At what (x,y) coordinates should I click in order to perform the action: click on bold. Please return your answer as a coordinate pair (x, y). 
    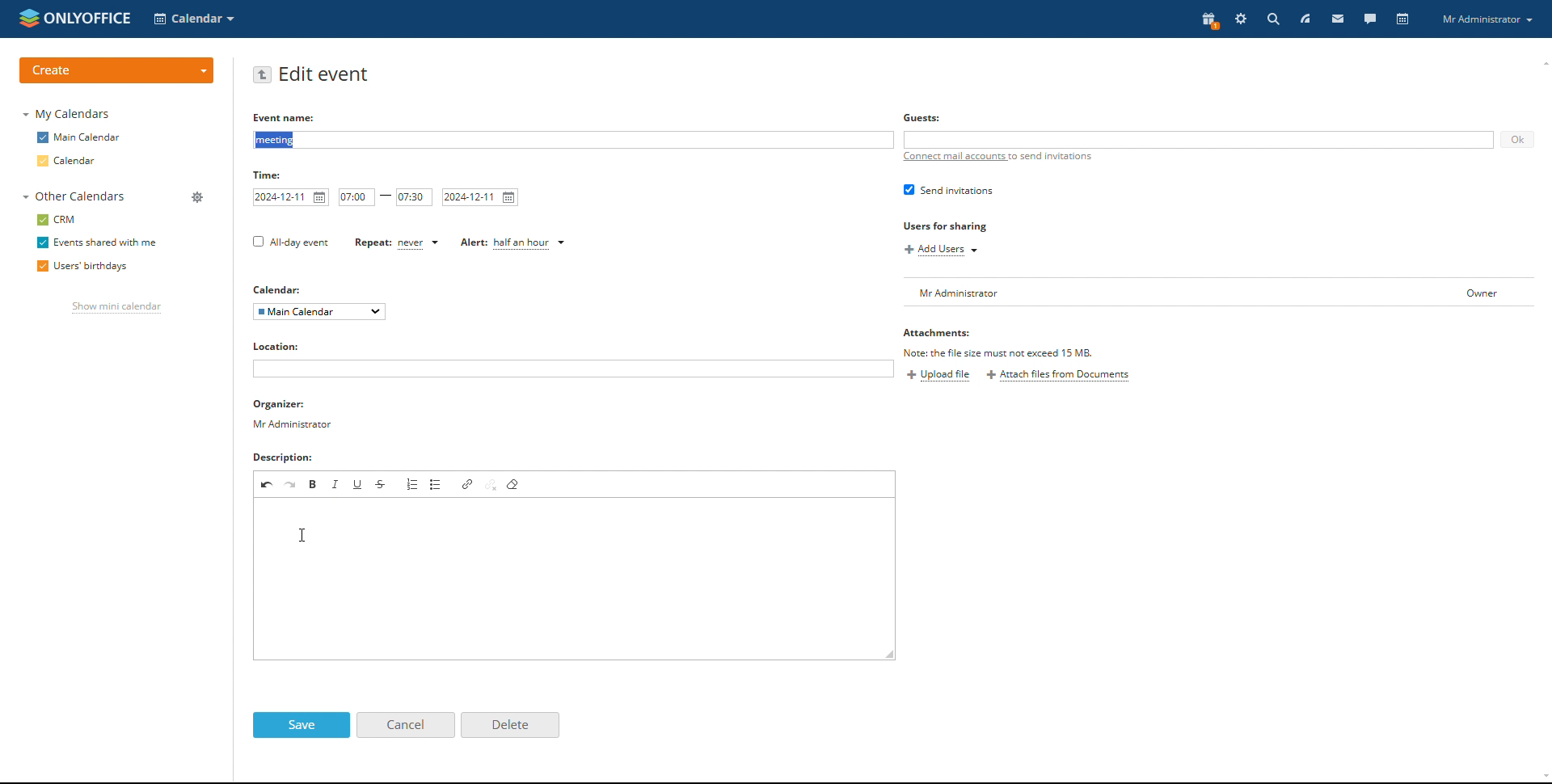
    Looking at the image, I should click on (313, 483).